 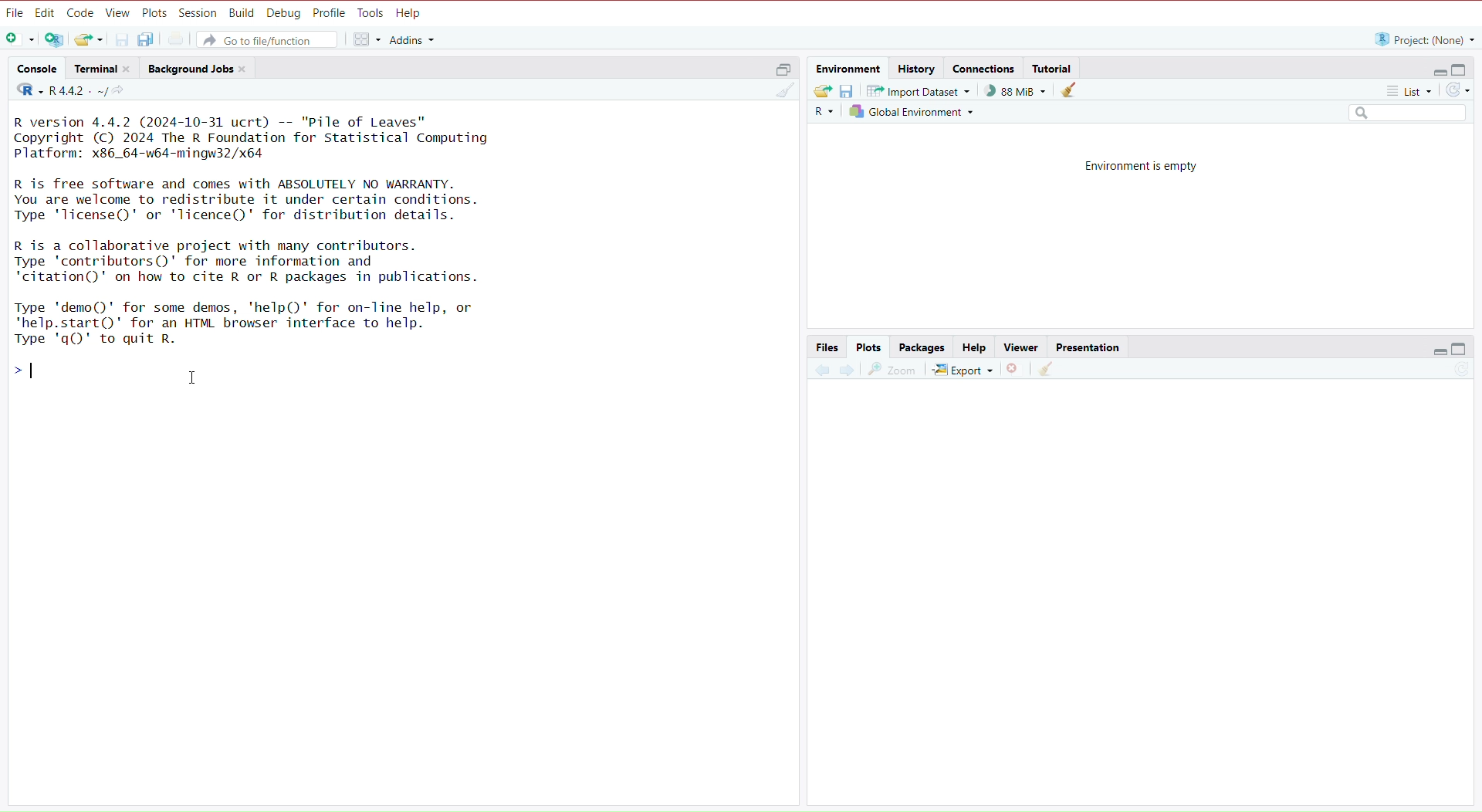 I want to click on List, so click(x=1409, y=89).